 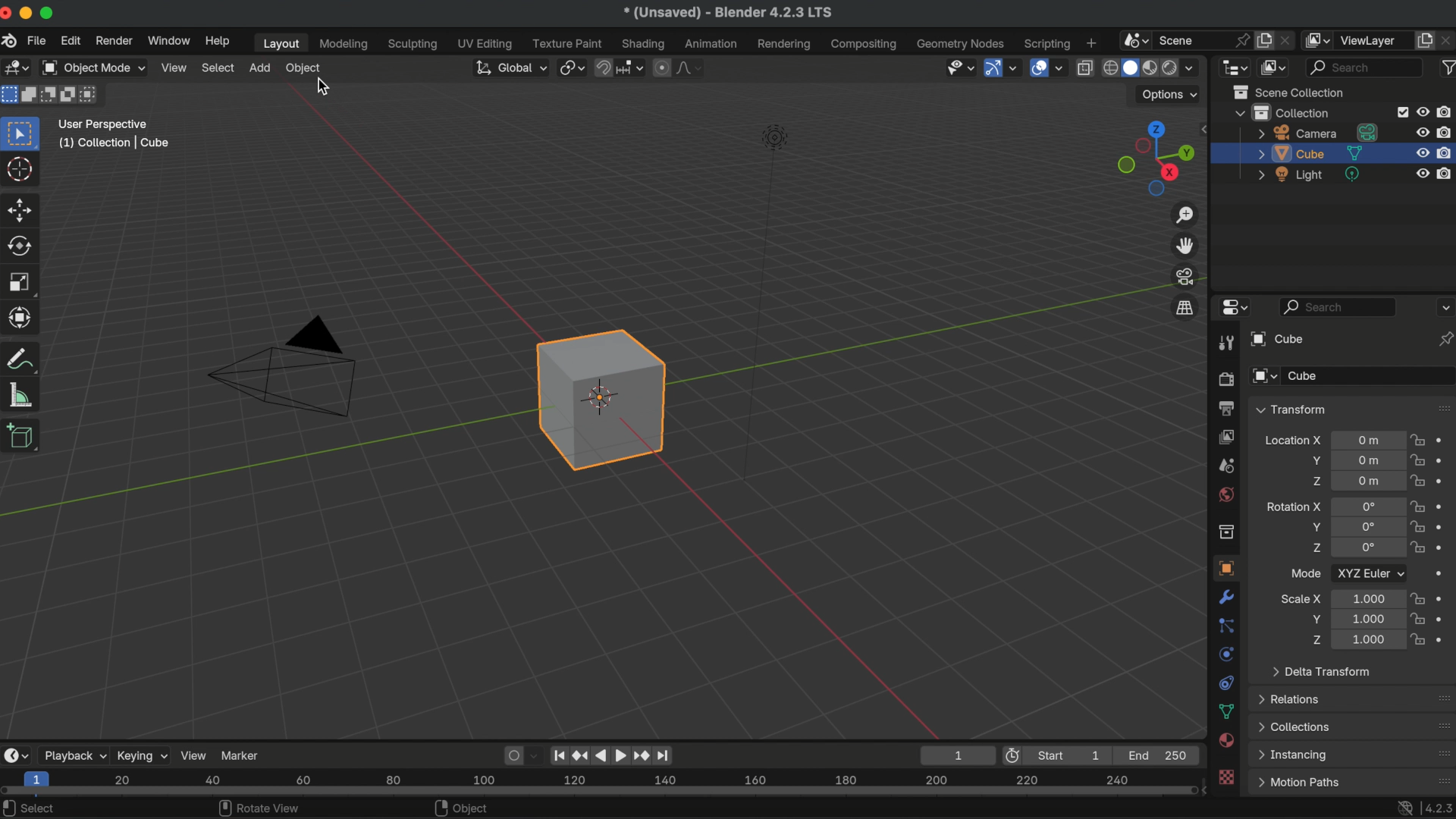 I want to click on proportional editing fall off, so click(x=690, y=67).